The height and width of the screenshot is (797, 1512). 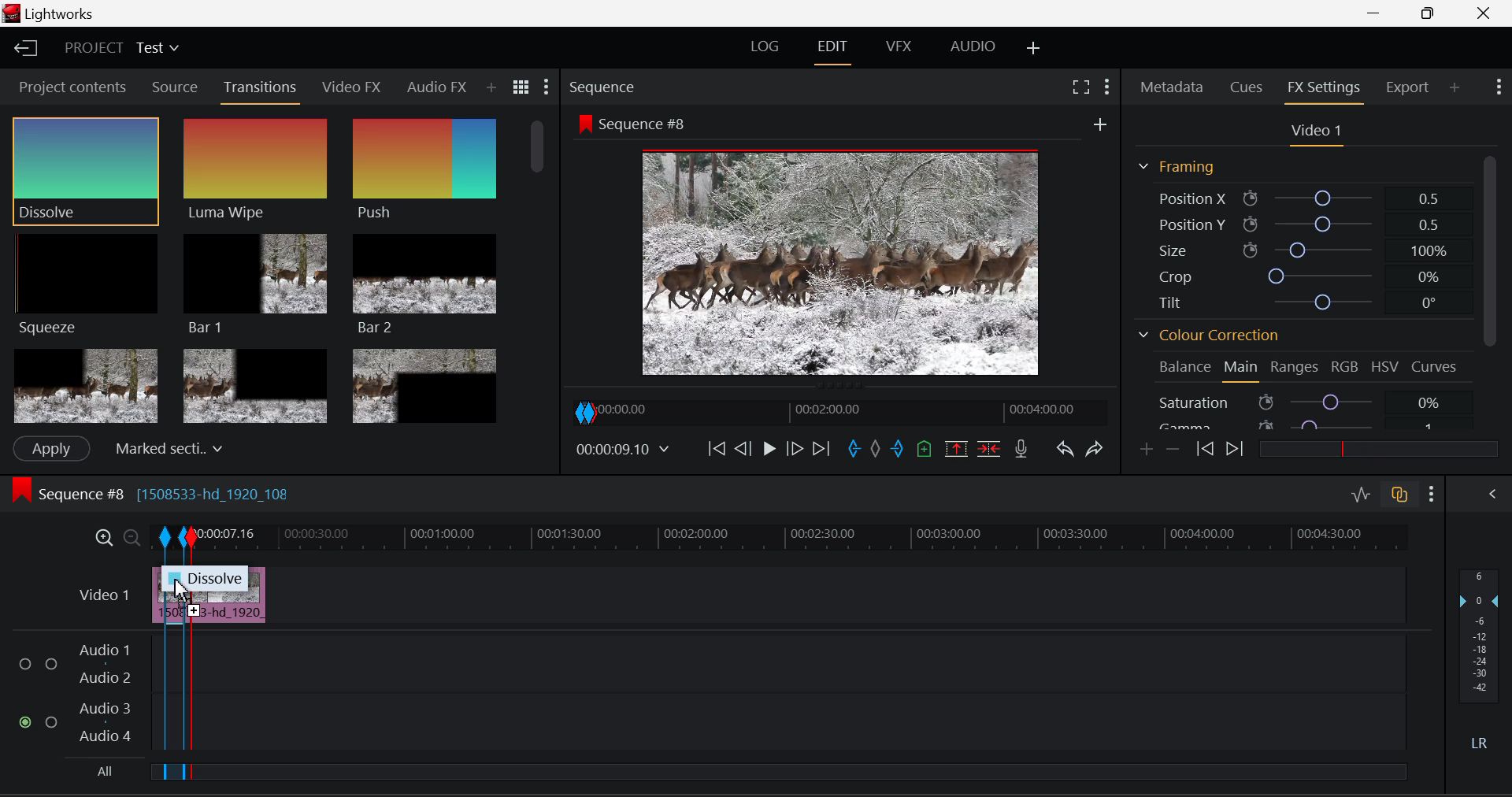 What do you see at coordinates (424, 284) in the screenshot?
I see `Bar 2` at bounding box center [424, 284].